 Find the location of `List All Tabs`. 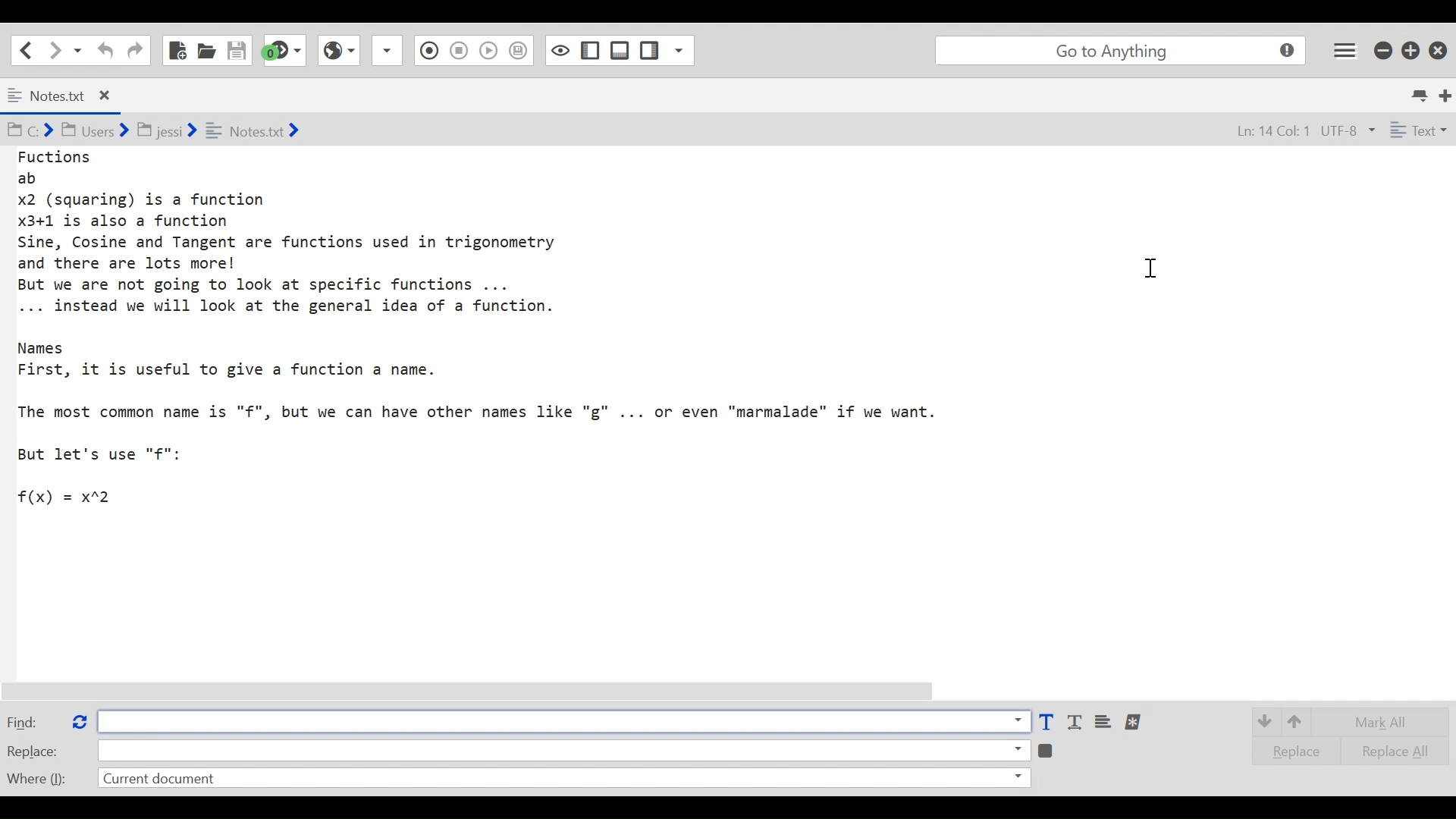

List All Tabs is located at coordinates (1421, 93).